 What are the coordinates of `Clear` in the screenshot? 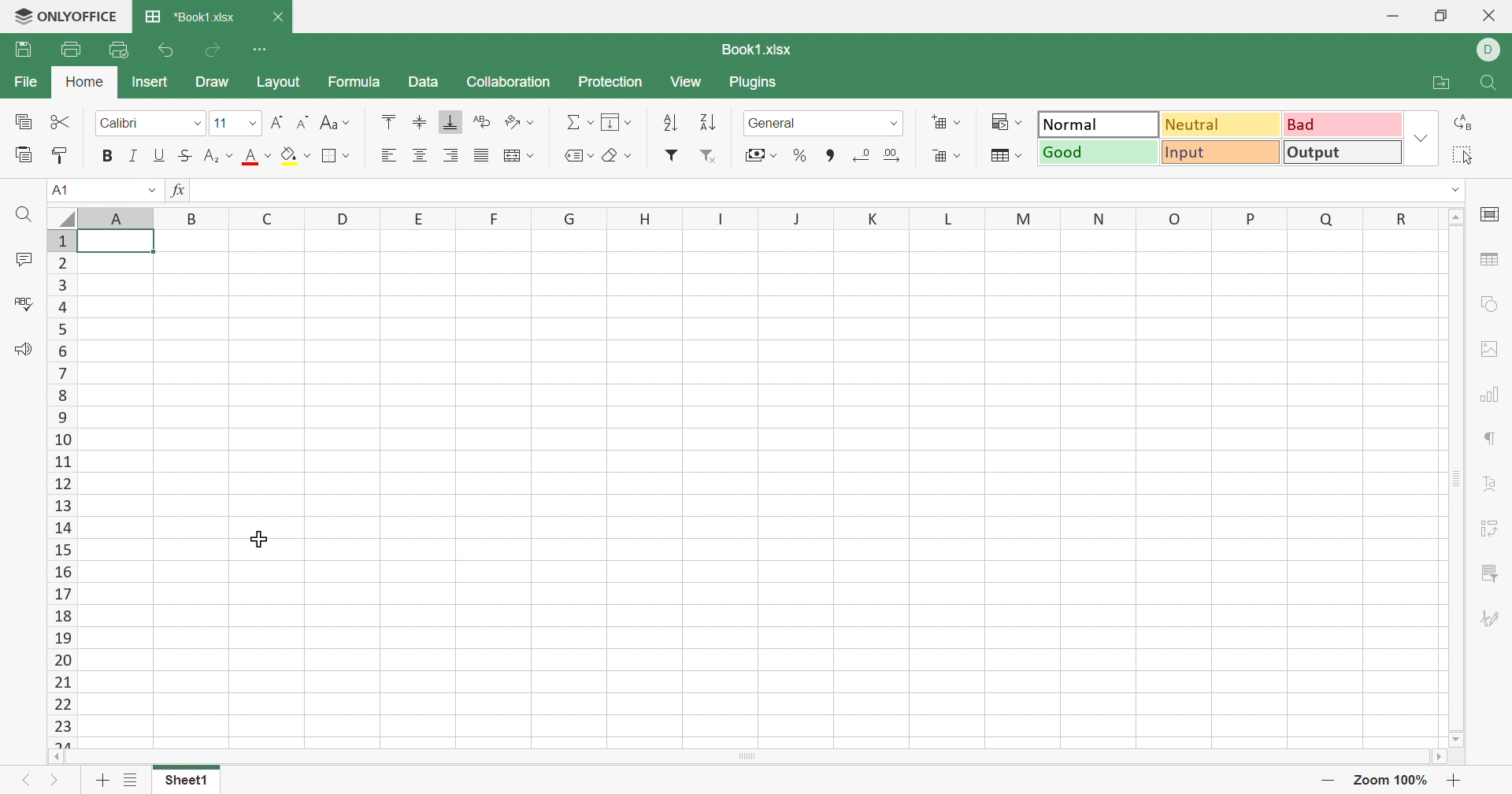 It's located at (612, 157).